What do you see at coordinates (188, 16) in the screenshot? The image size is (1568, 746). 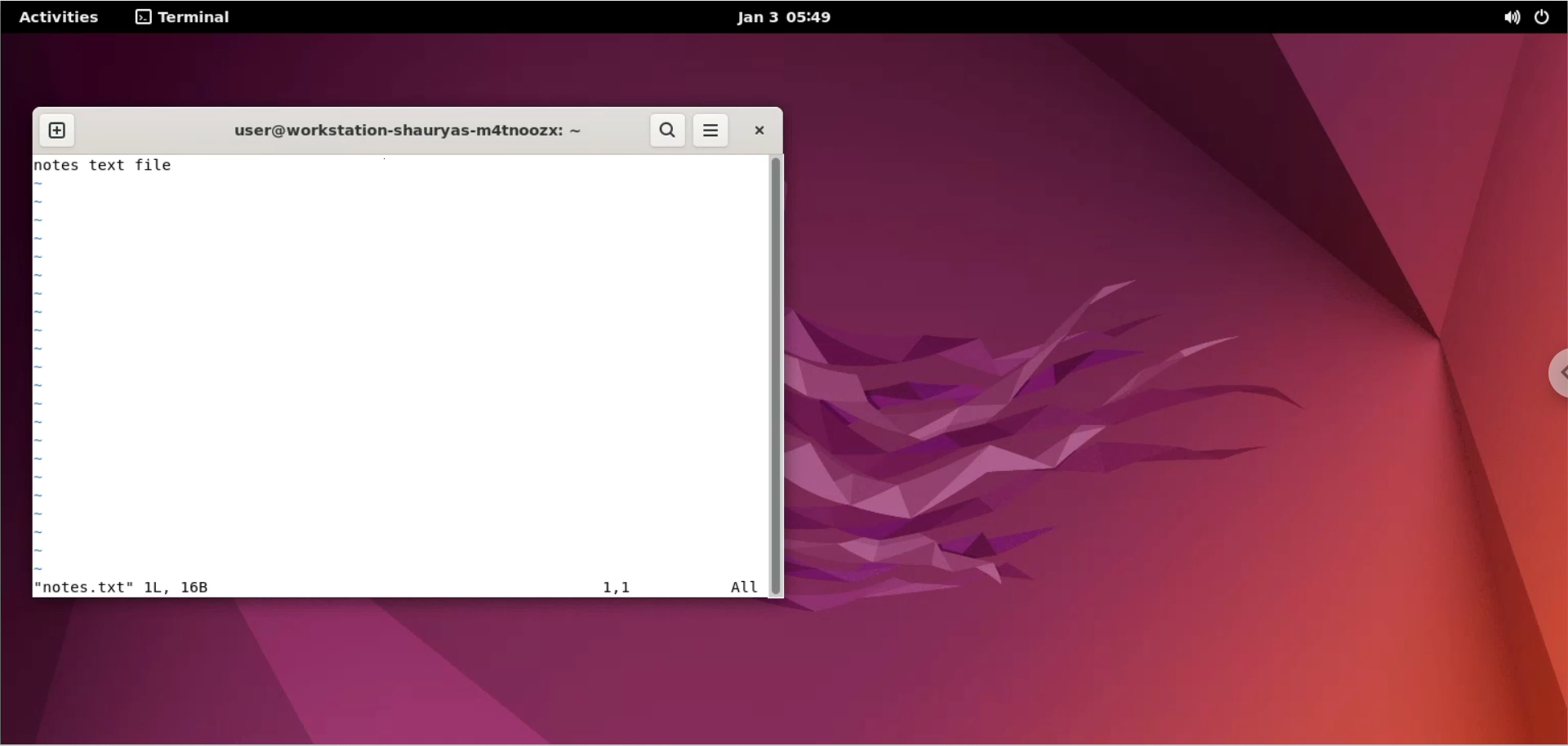 I see `terminal` at bounding box center [188, 16].